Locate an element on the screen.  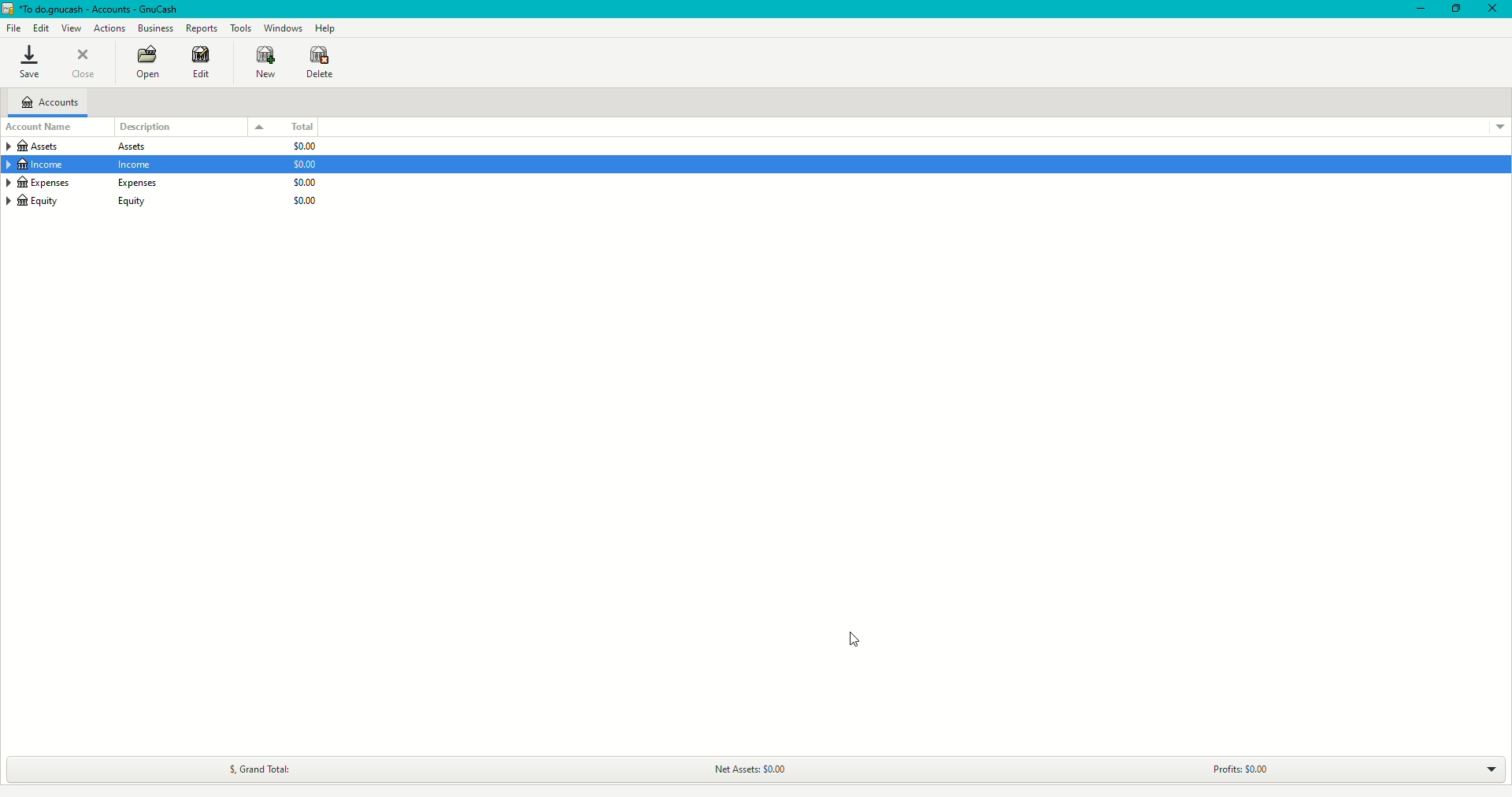
View is located at coordinates (74, 28).